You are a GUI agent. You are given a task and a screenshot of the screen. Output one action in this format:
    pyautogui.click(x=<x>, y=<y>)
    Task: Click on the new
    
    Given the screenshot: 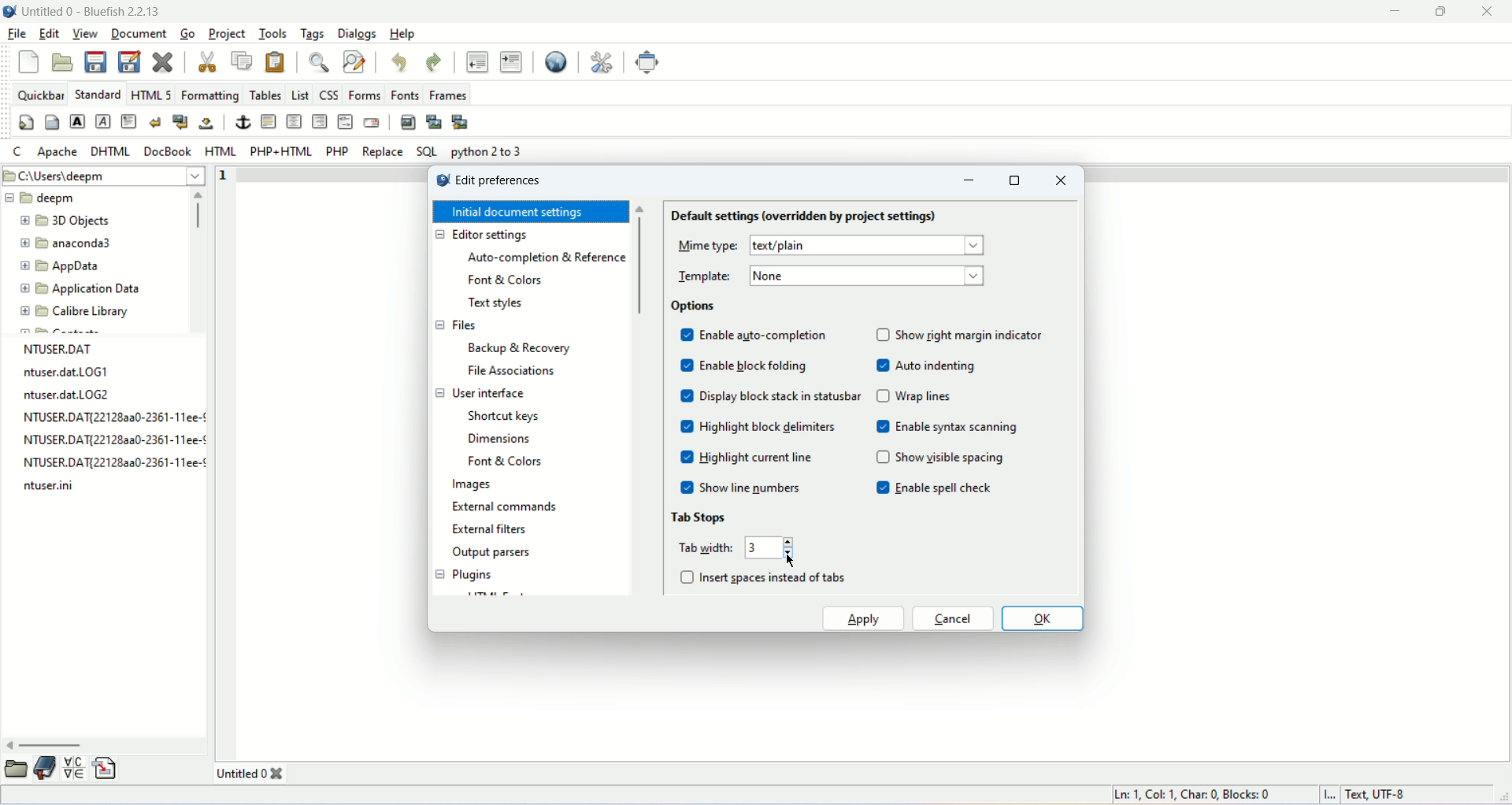 What is the action you would take?
    pyautogui.click(x=28, y=62)
    